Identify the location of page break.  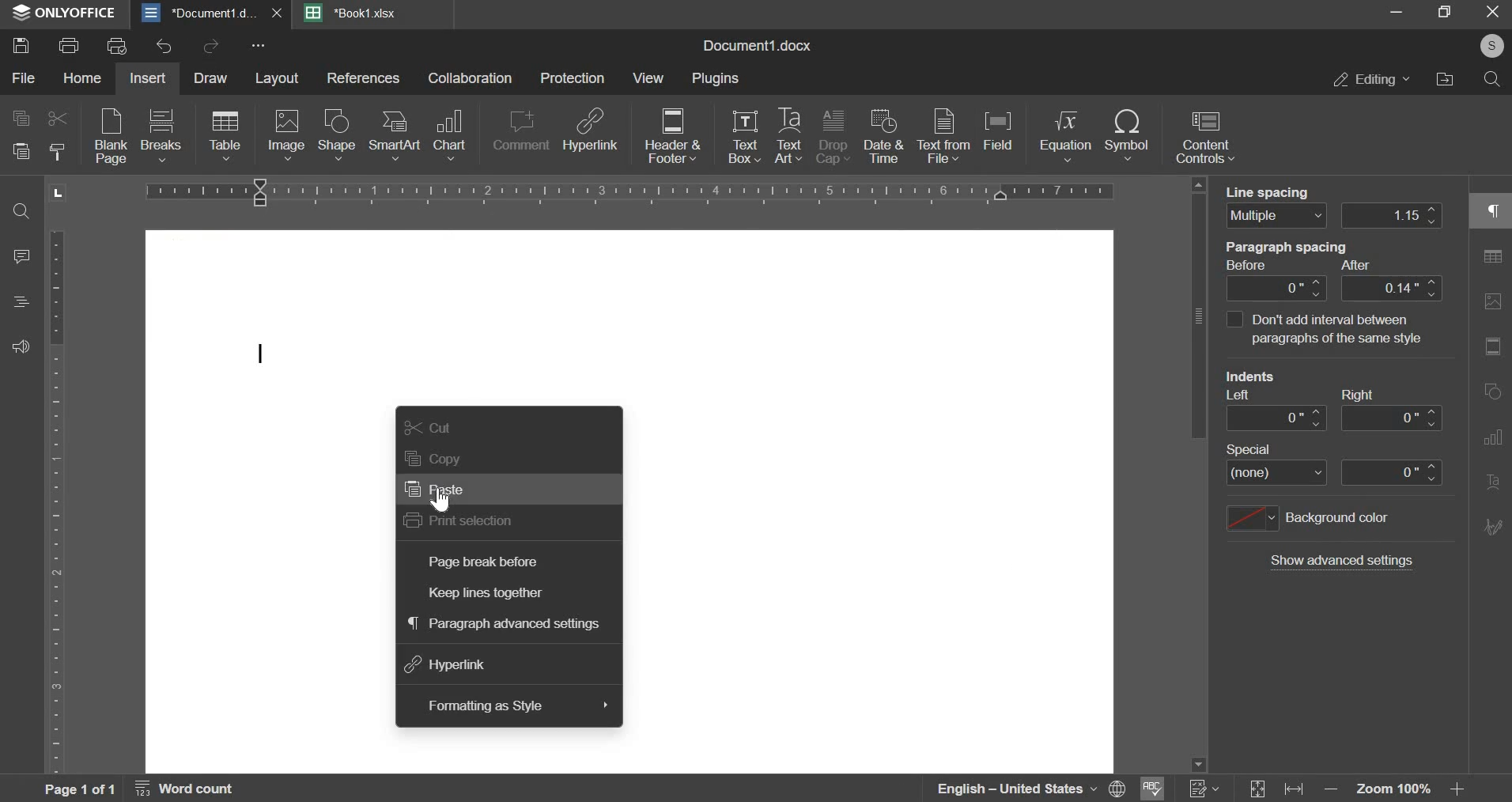
(160, 136).